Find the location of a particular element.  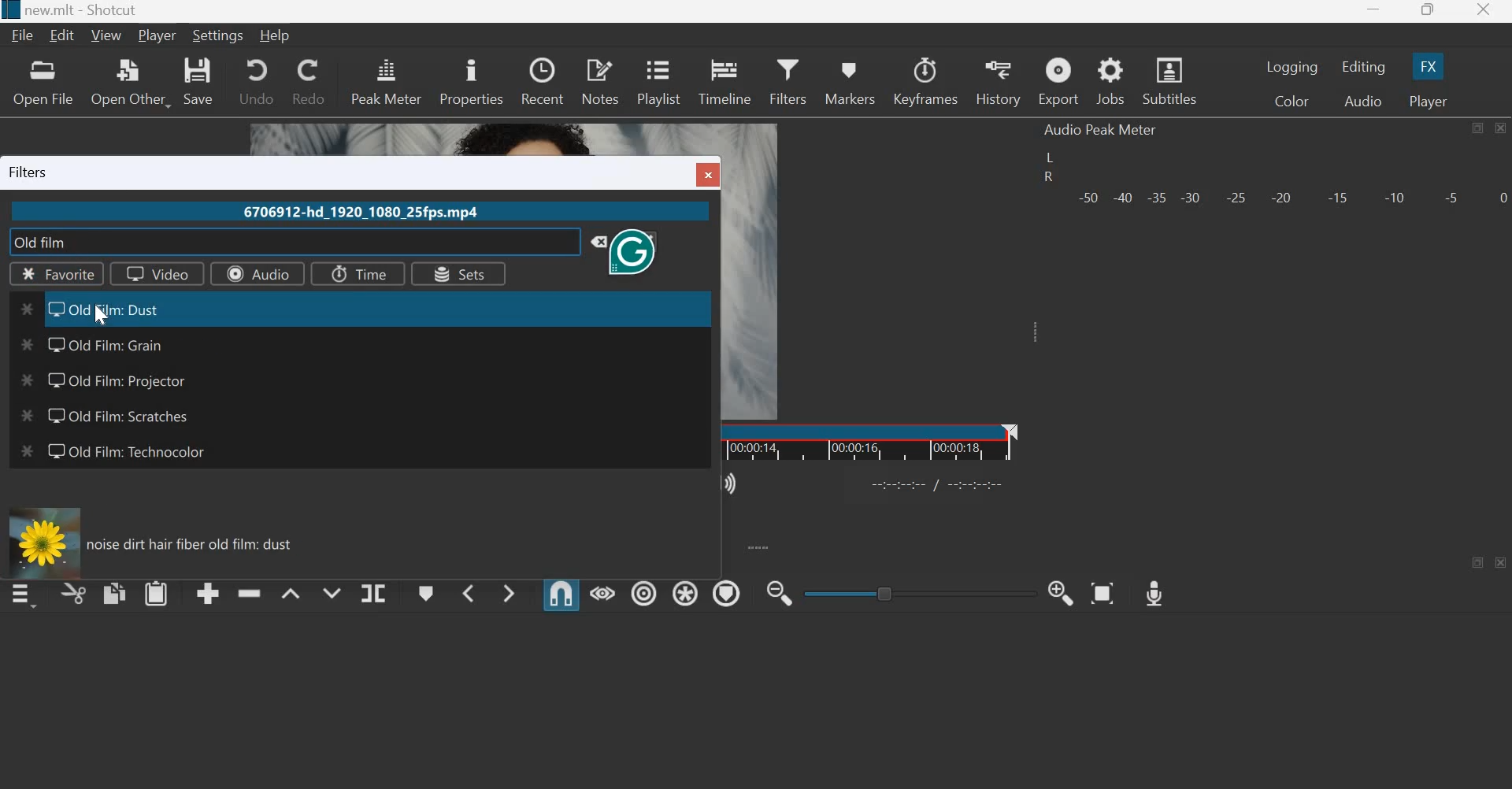

Favorite is located at coordinates (59, 276).